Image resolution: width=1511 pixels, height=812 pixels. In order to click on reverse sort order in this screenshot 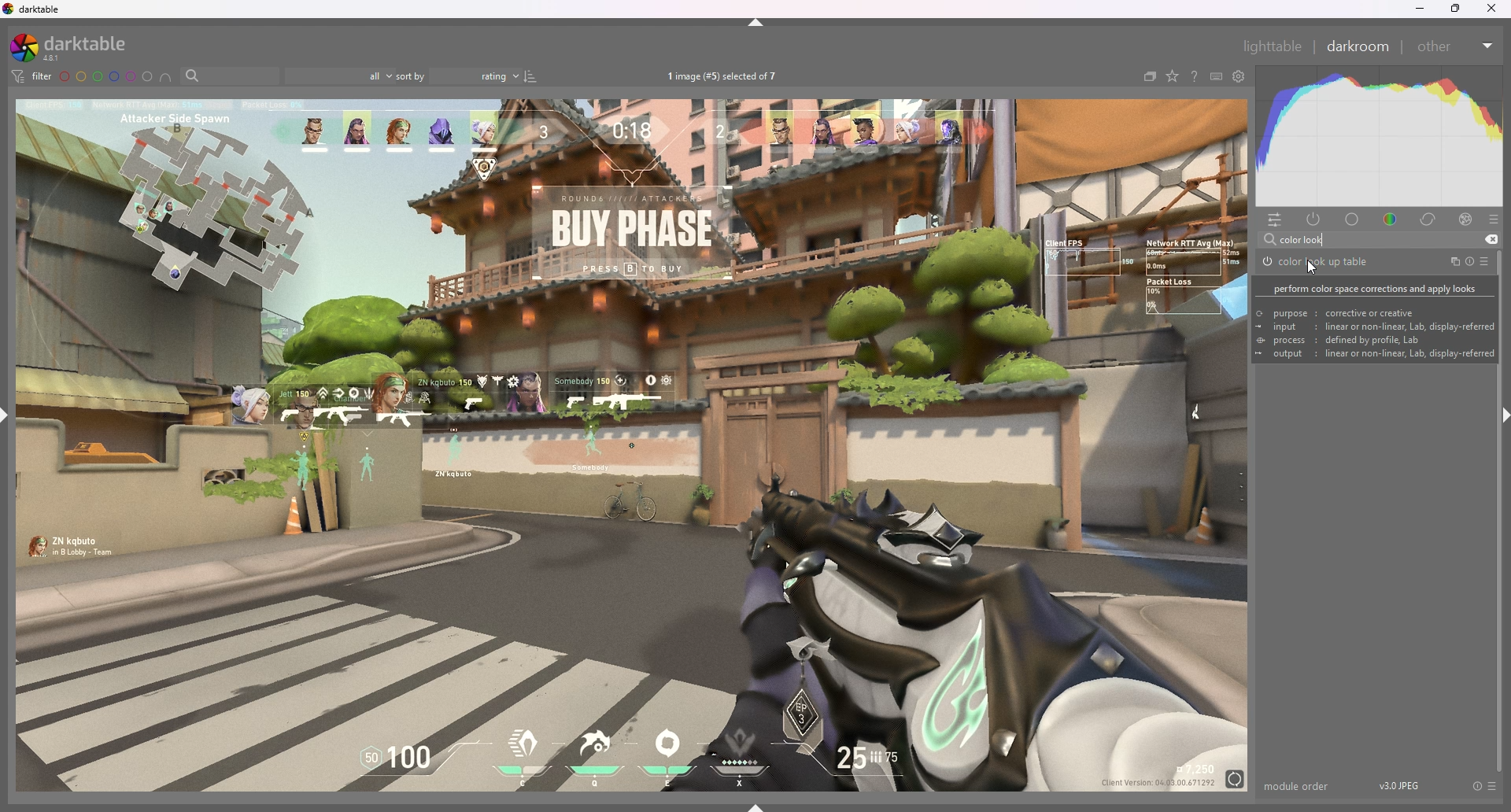, I will do `click(530, 76)`.